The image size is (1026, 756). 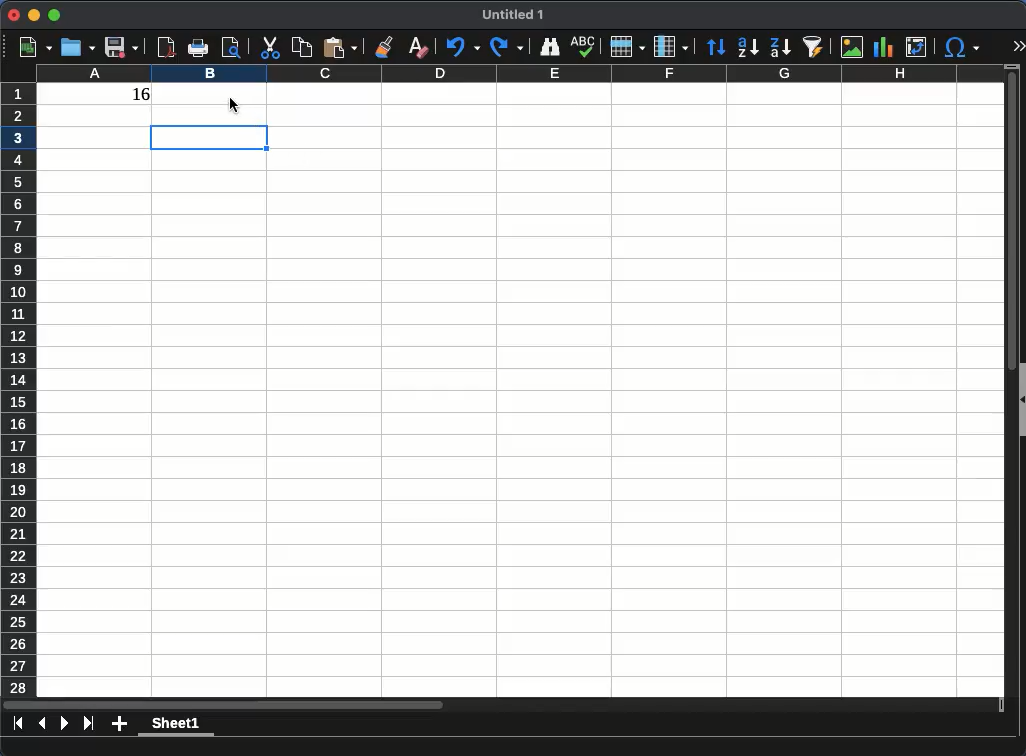 What do you see at coordinates (56, 14) in the screenshot?
I see `maximize` at bounding box center [56, 14].